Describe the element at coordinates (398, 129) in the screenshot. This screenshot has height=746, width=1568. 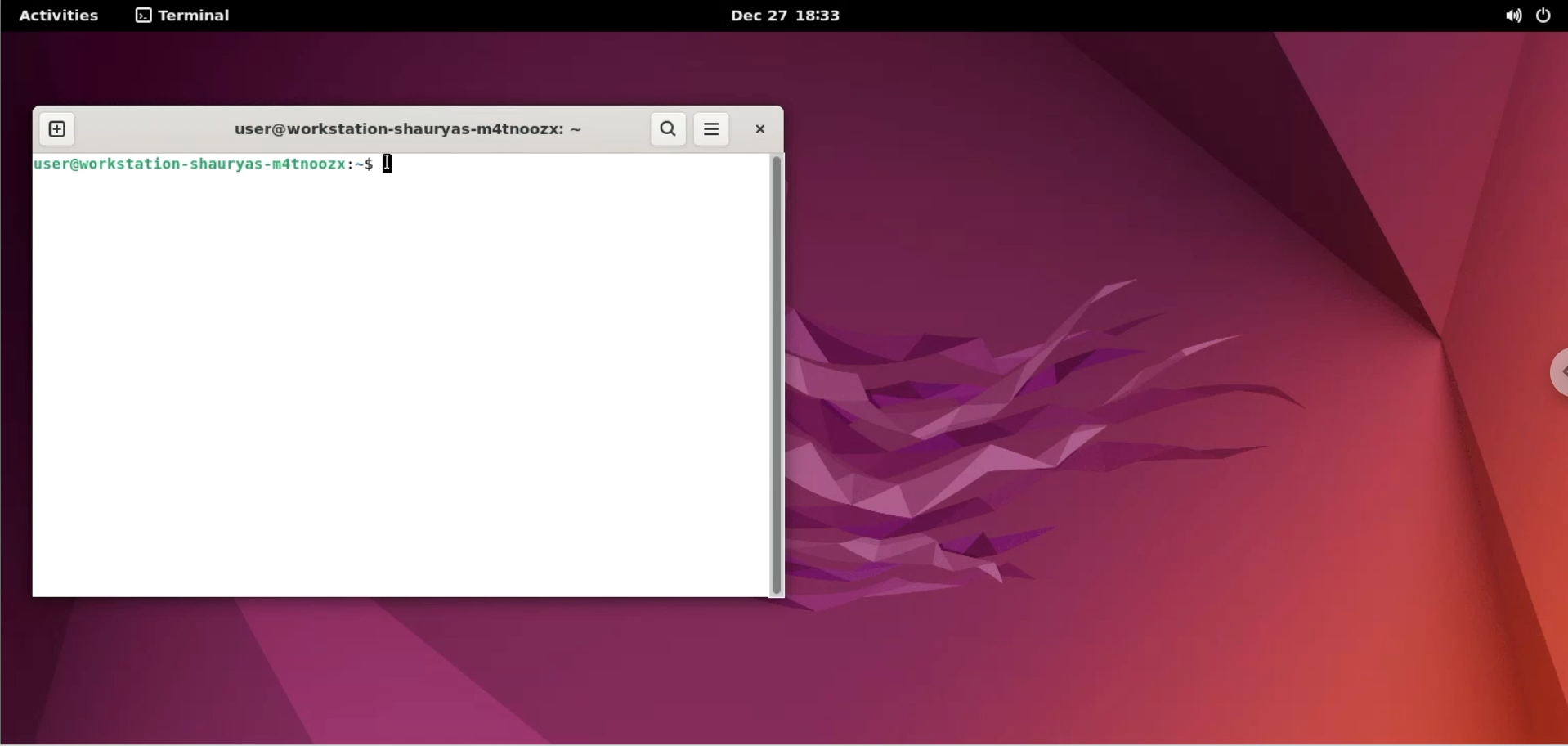
I see `user@workstation-shauryas-m4tnoozx:~` at that location.